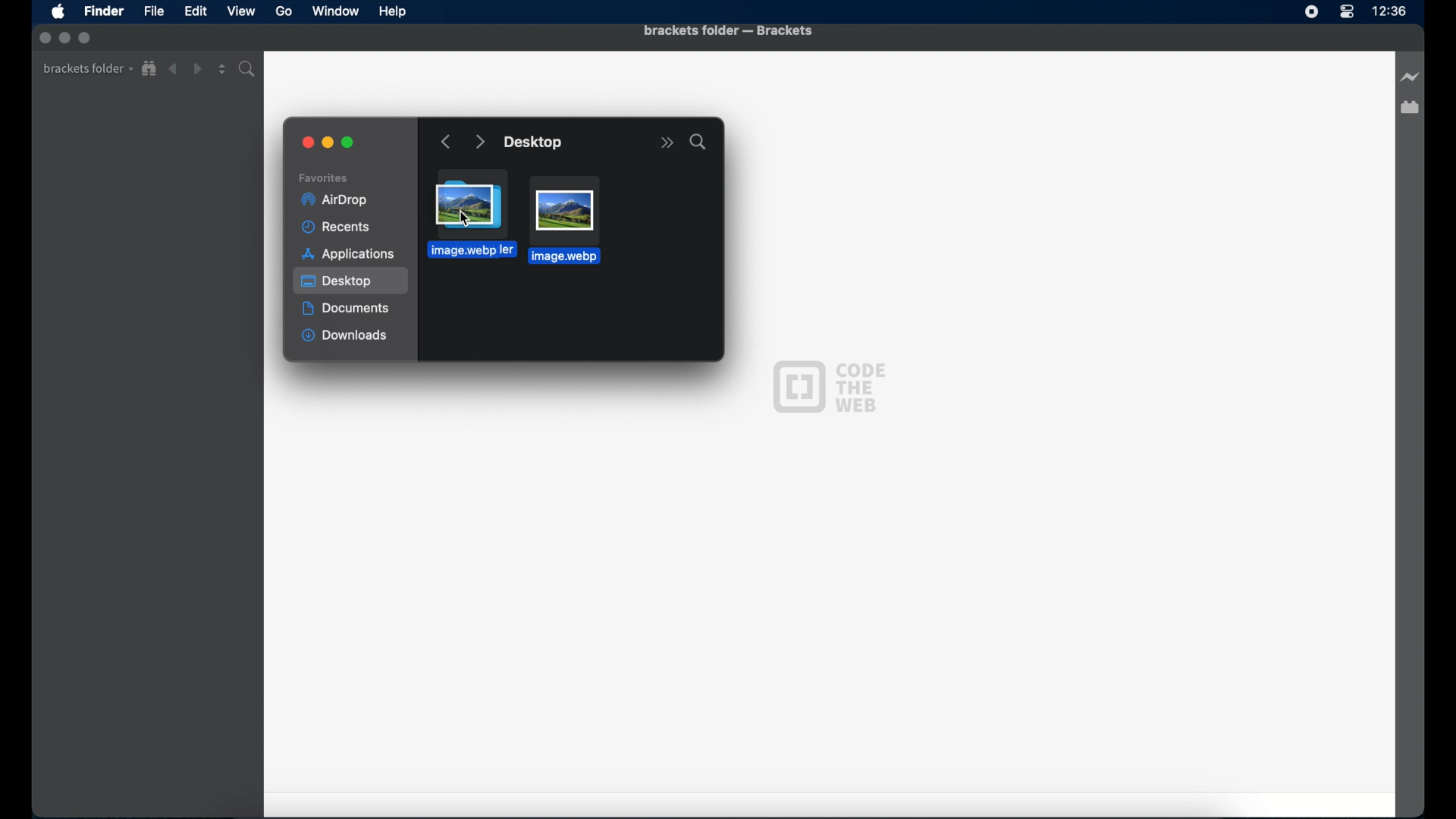  I want to click on brackets folder, so click(88, 69).